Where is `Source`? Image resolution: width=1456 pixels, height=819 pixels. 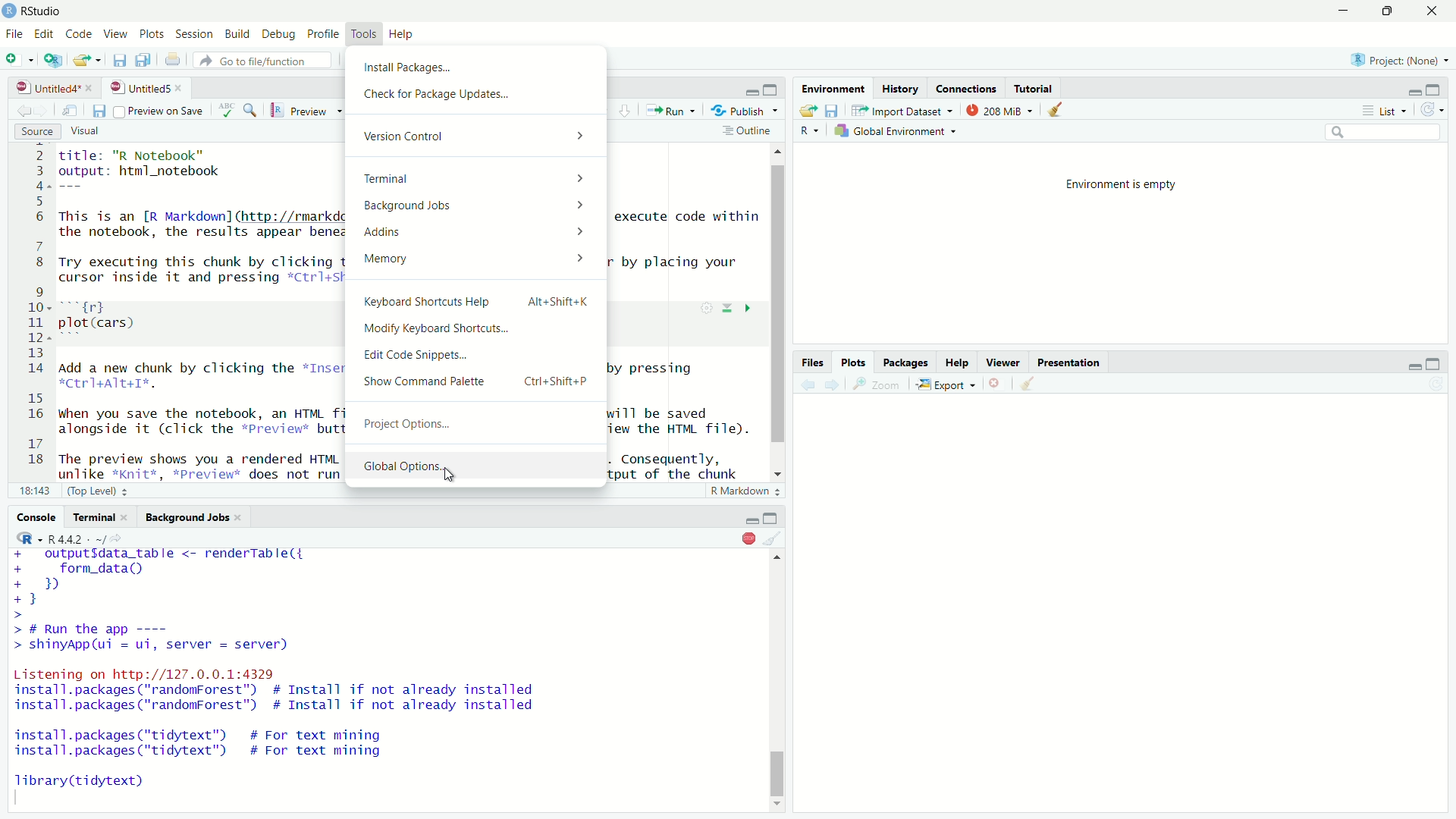
Source is located at coordinates (38, 132).